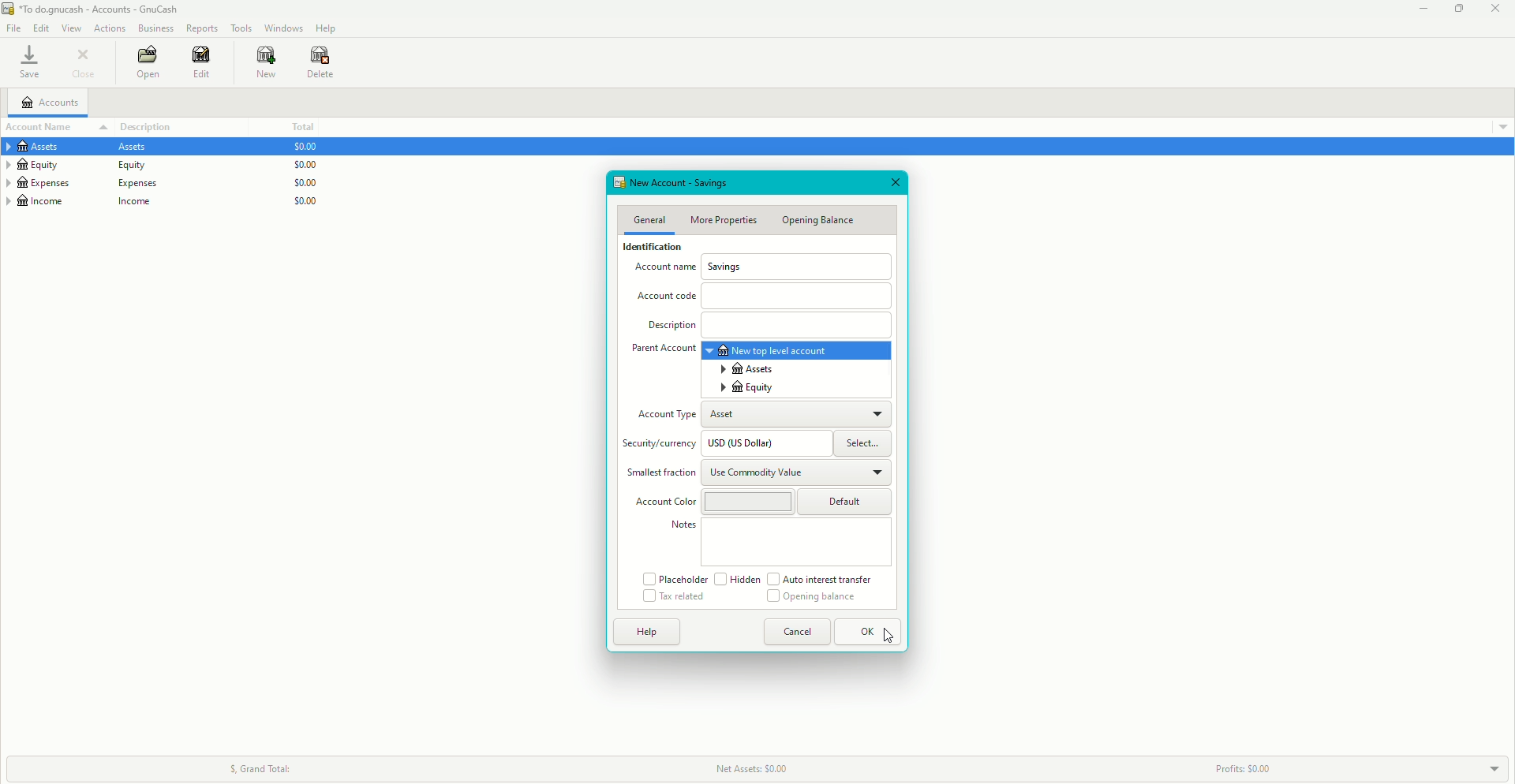 The height and width of the screenshot is (784, 1515). Describe the element at coordinates (1502, 125) in the screenshot. I see `Drop down` at that location.